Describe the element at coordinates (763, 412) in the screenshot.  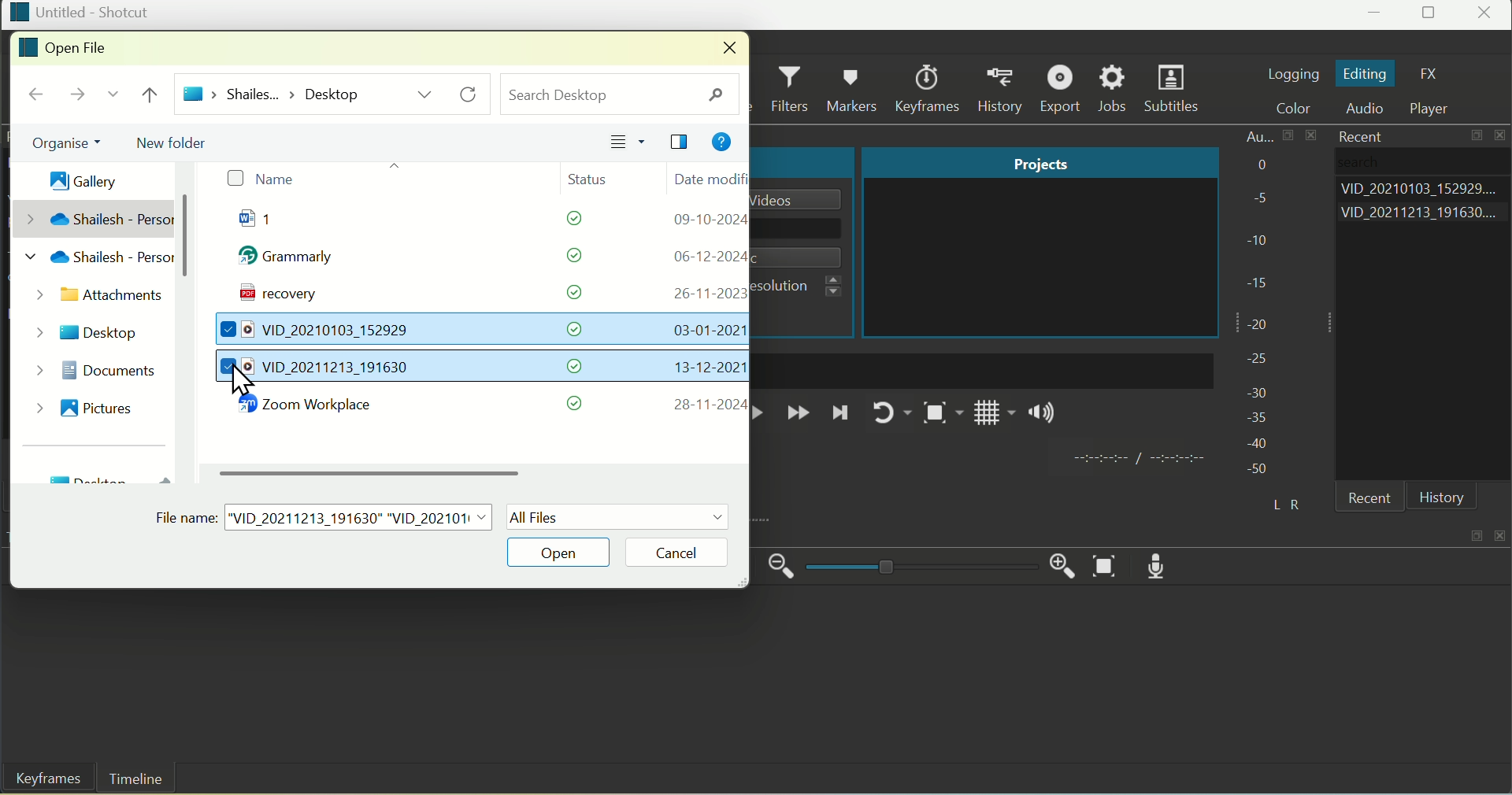
I see `Play` at that location.